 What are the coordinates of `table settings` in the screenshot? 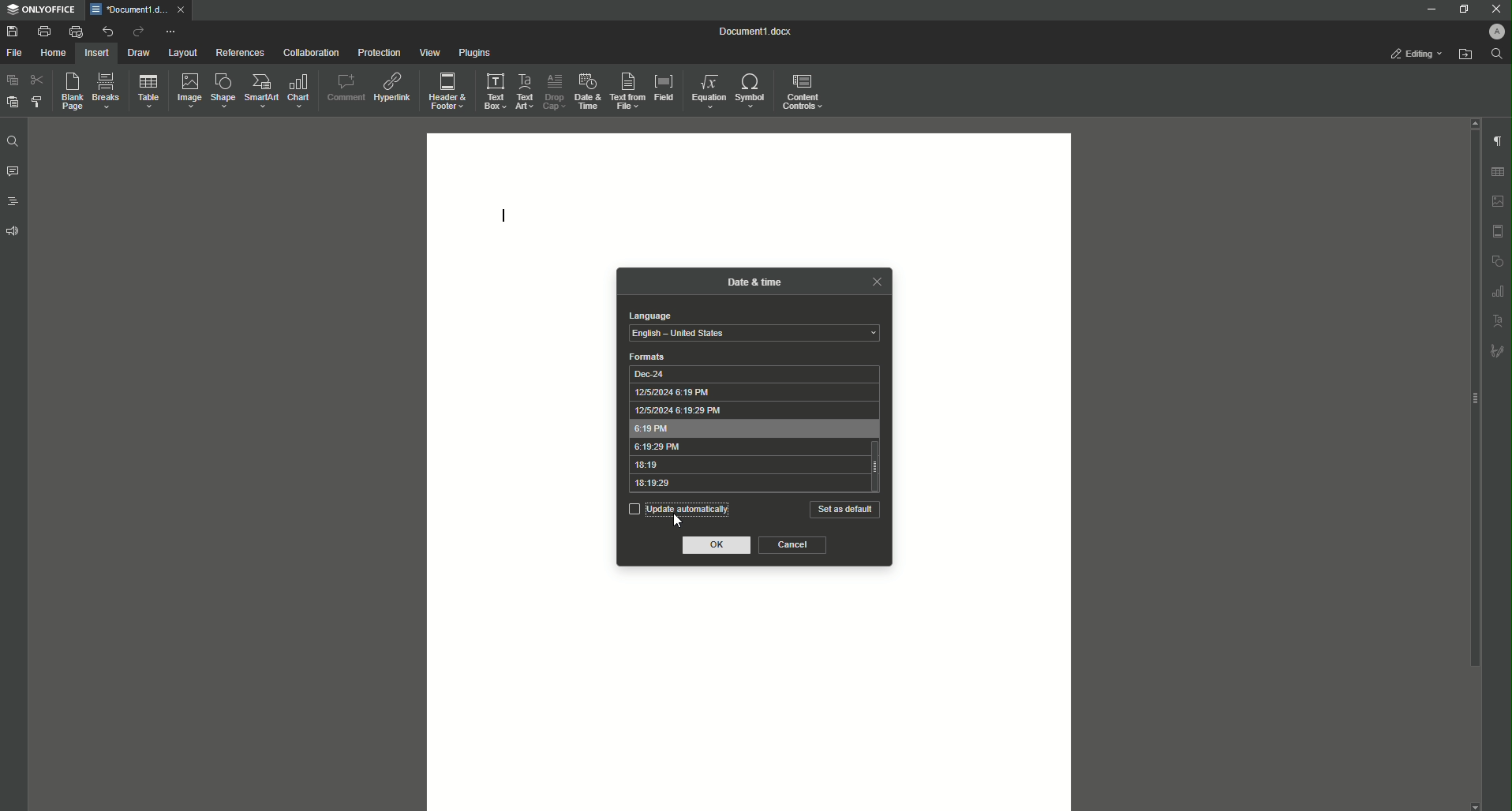 It's located at (1497, 172).